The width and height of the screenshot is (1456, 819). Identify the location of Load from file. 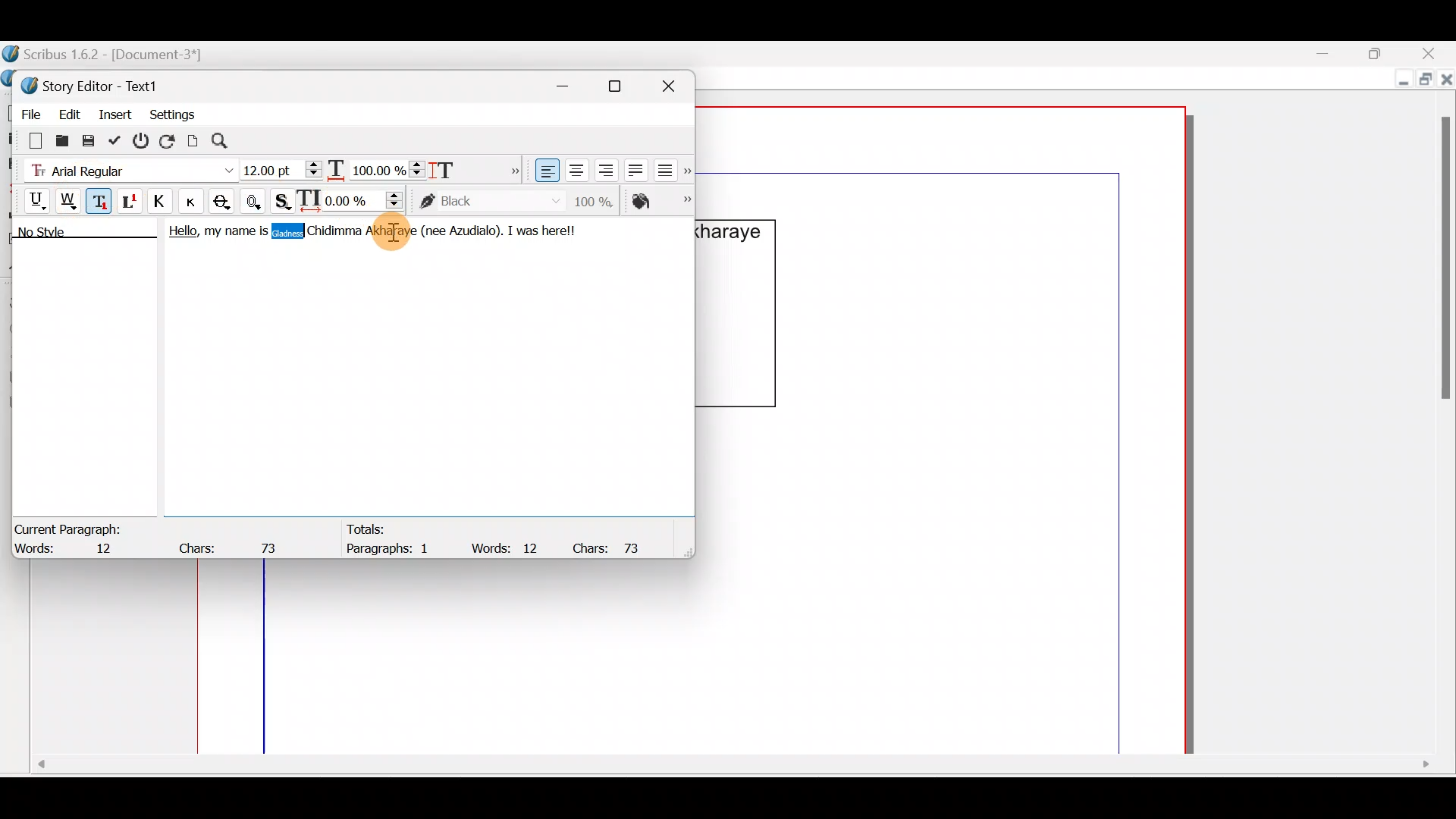
(61, 140).